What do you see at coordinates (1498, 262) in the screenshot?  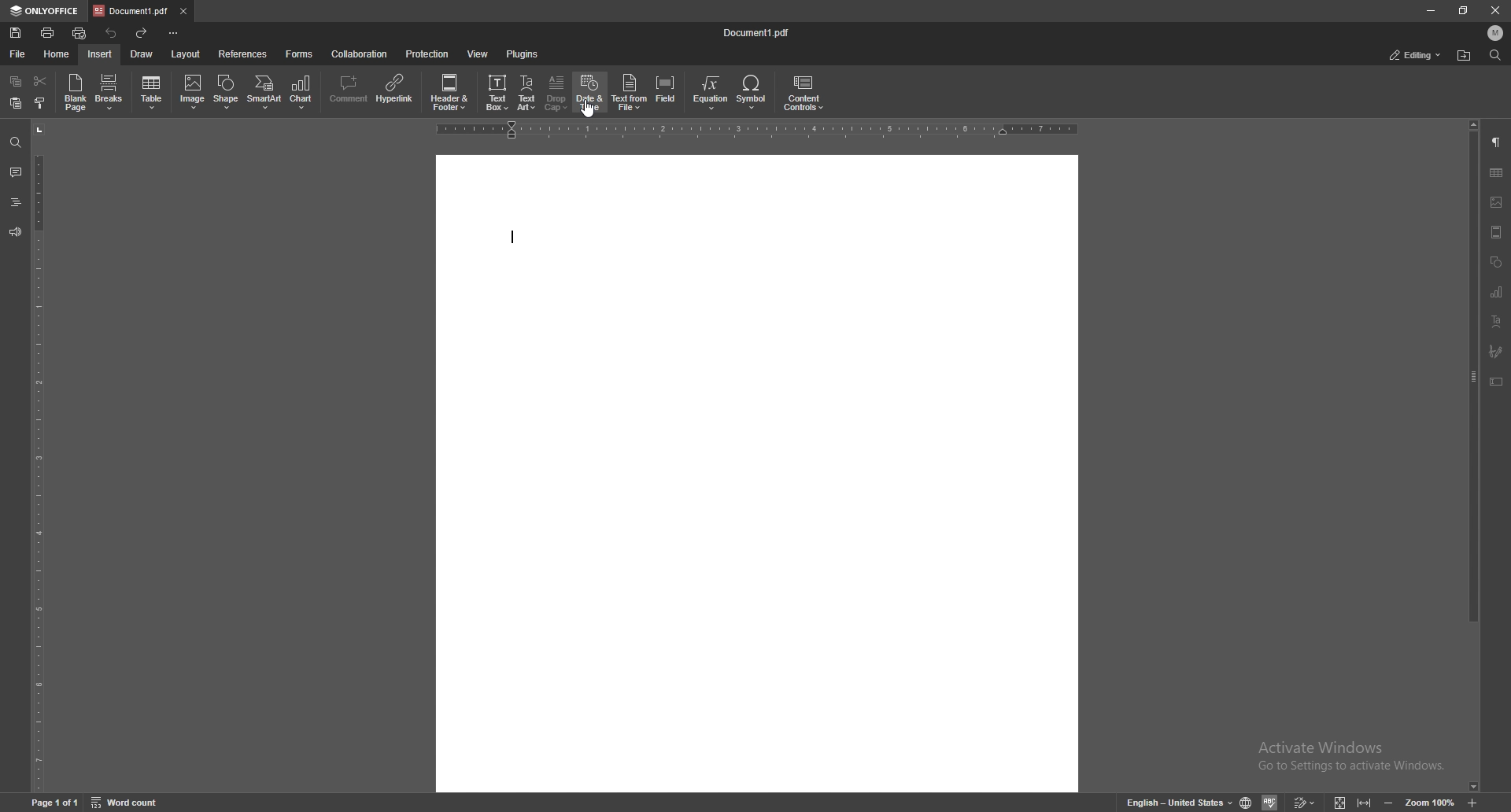 I see `shapes` at bounding box center [1498, 262].